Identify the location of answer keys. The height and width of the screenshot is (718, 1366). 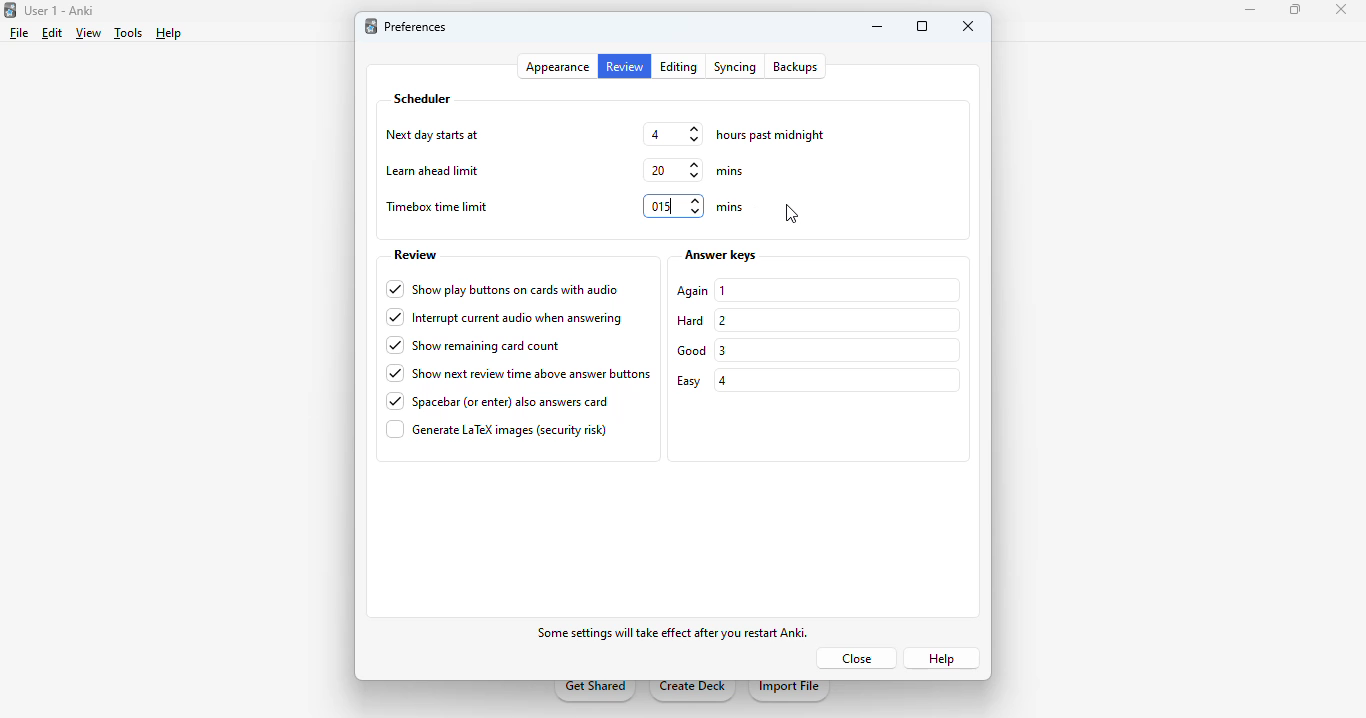
(720, 255).